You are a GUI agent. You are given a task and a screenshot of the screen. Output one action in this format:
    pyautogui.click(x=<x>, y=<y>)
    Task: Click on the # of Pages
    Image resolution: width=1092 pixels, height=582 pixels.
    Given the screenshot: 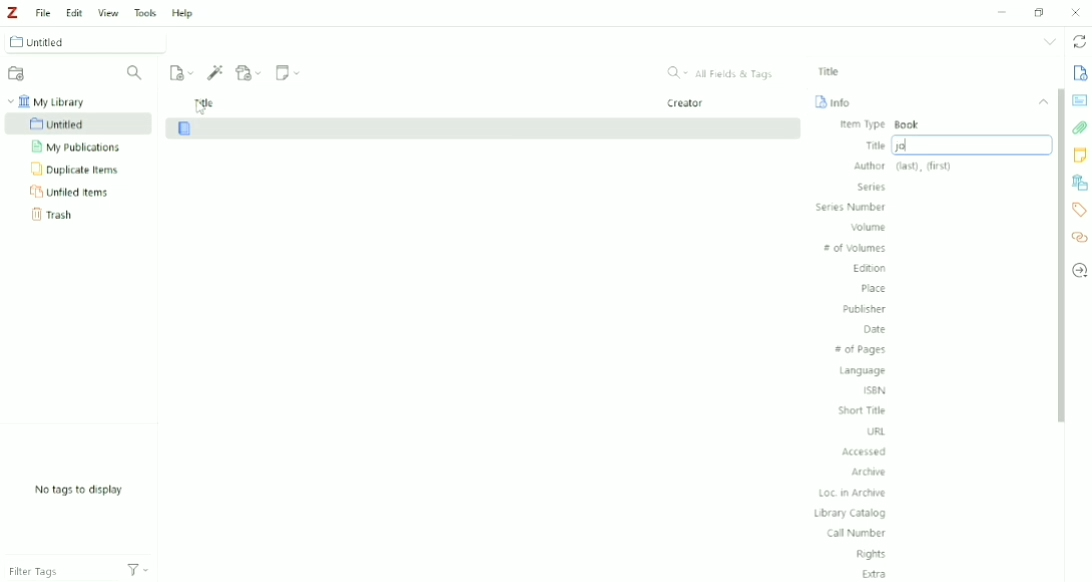 What is the action you would take?
    pyautogui.click(x=860, y=350)
    